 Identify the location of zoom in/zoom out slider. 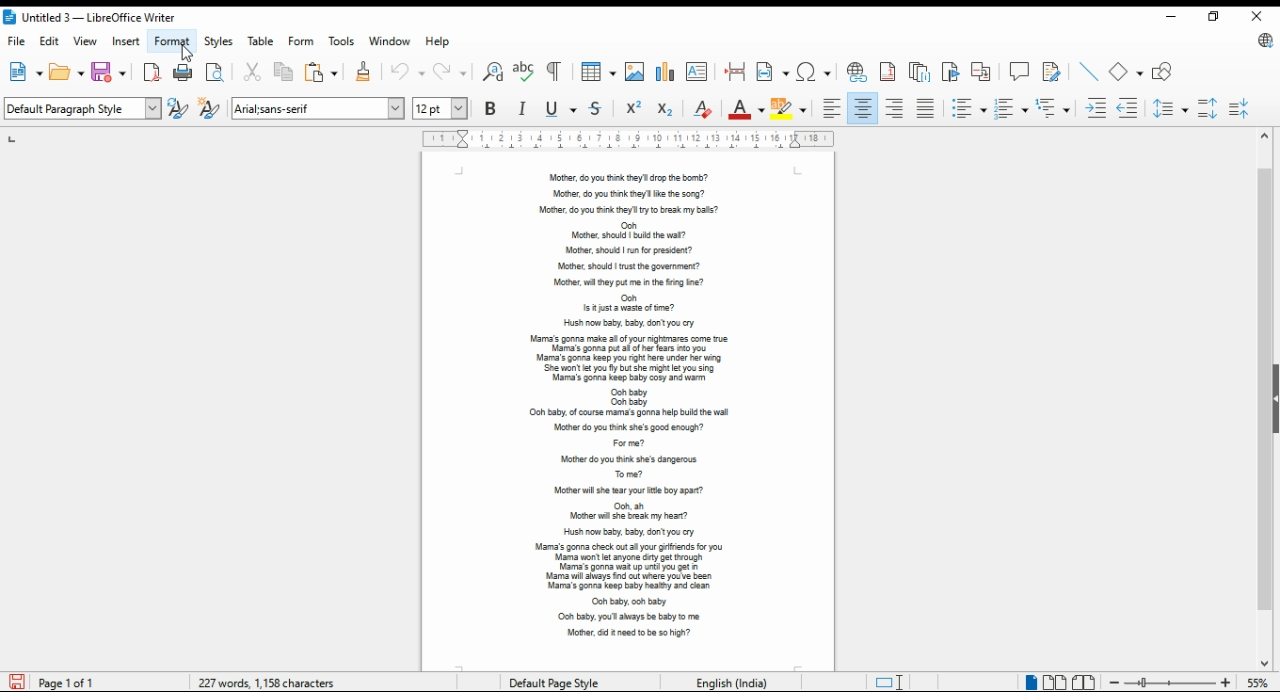
(1170, 683).